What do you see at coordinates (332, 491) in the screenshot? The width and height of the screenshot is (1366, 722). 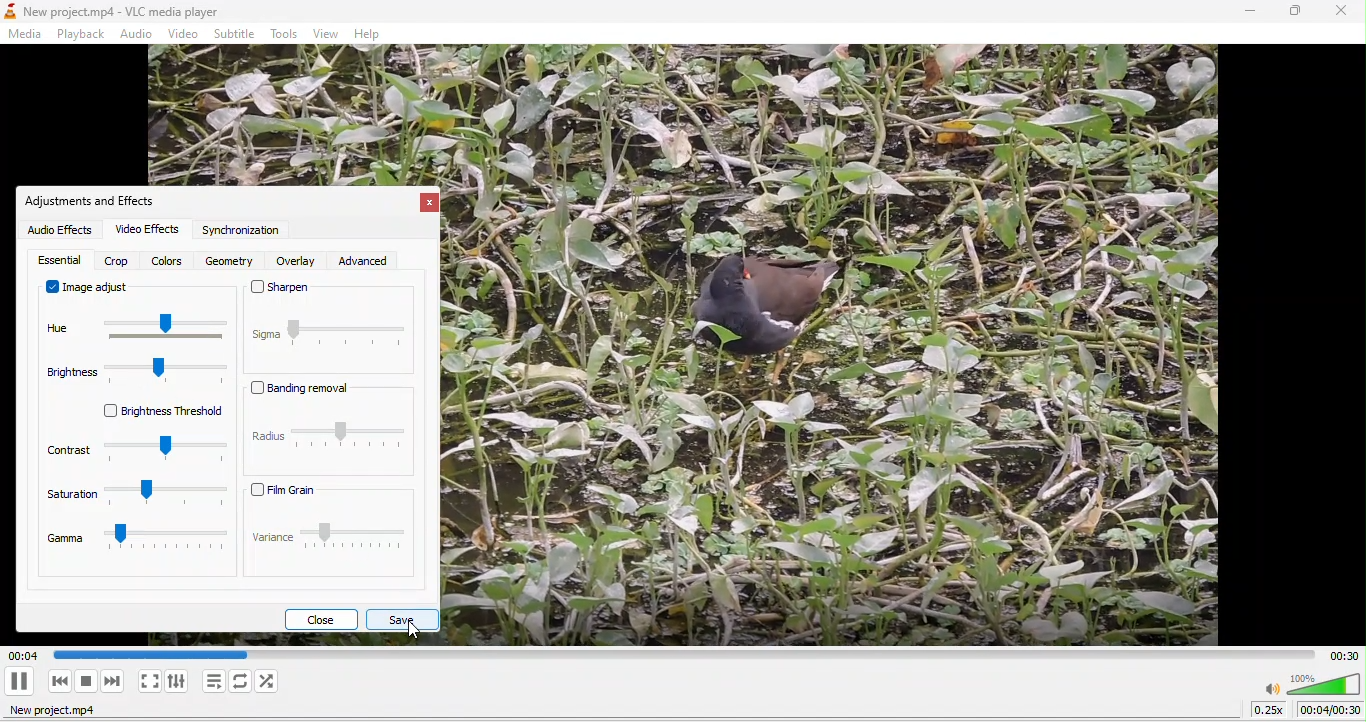 I see `flim grain` at bounding box center [332, 491].